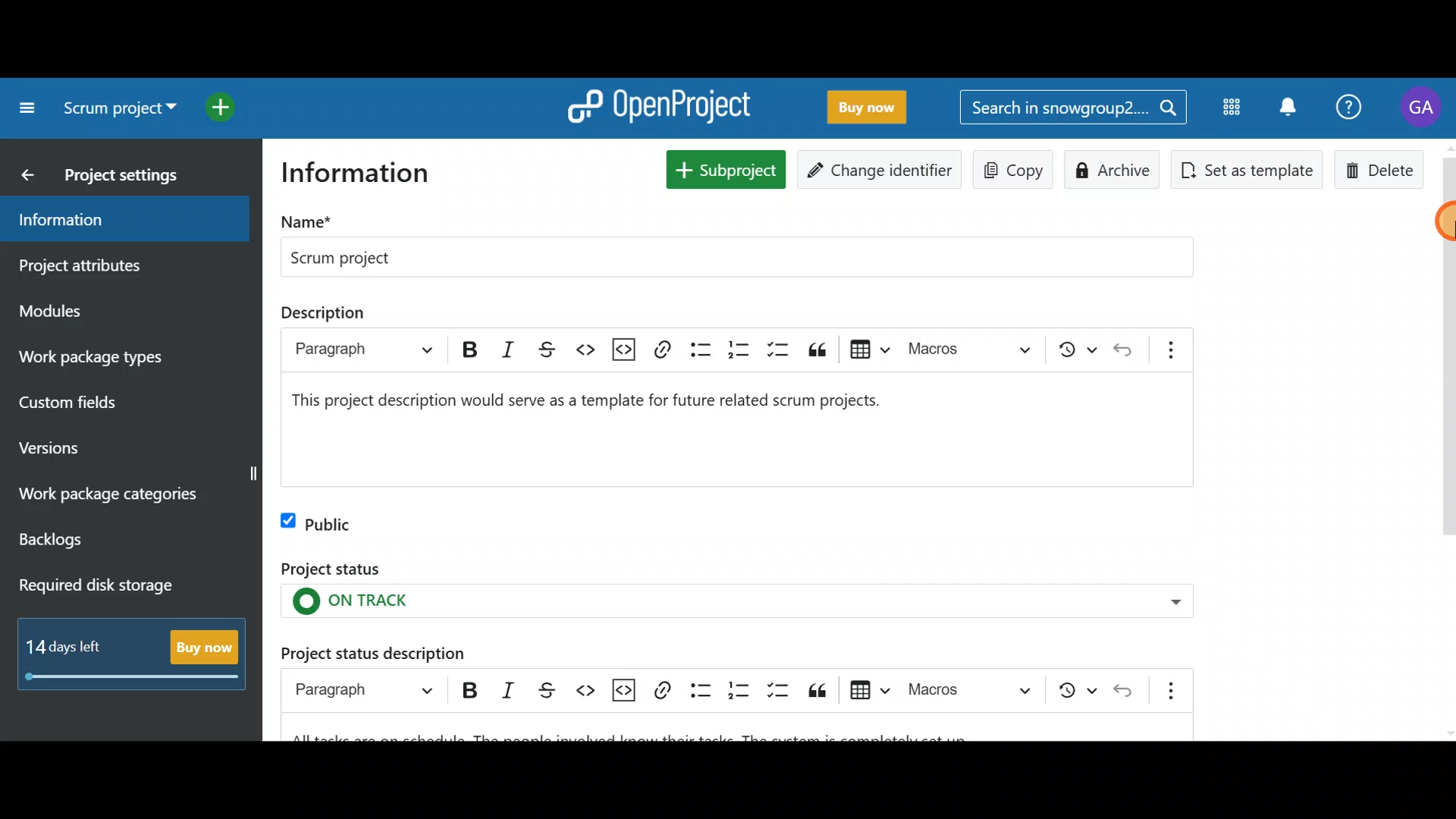 The height and width of the screenshot is (819, 1456). What do you see at coordinates (602, 407) in the screenshot?
I see `project description` at bounding box center [602, 407].